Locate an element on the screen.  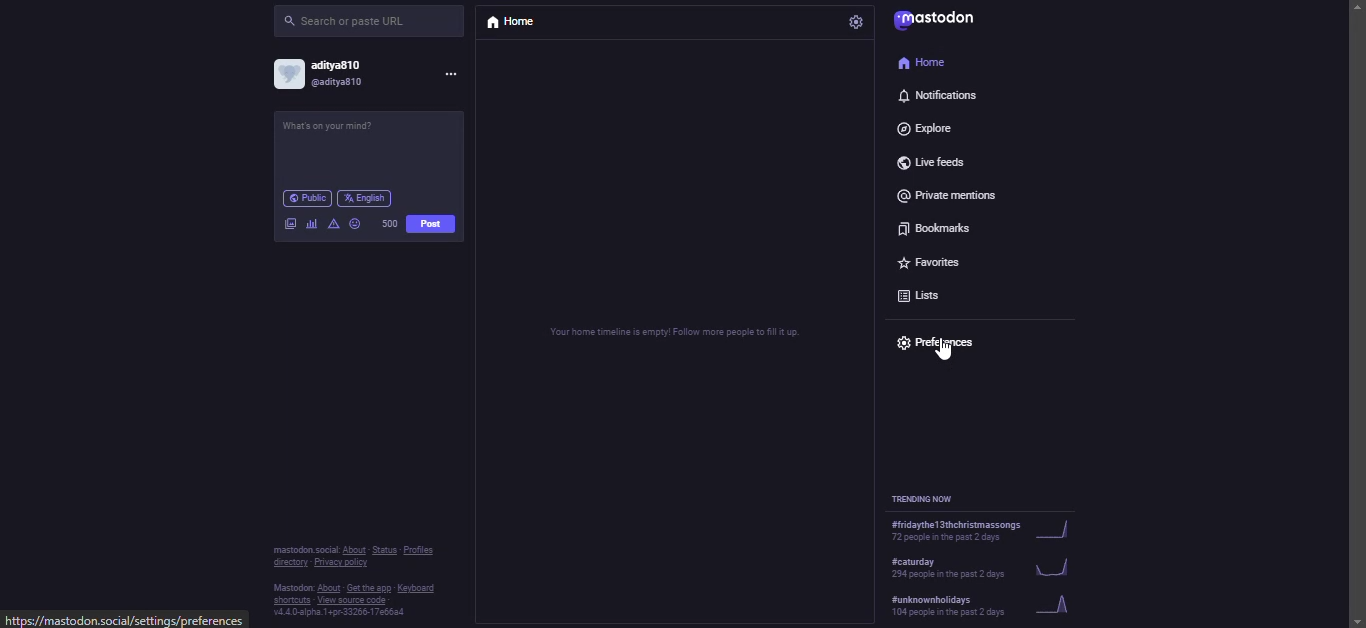
polls is located at coordinates (311, 223).